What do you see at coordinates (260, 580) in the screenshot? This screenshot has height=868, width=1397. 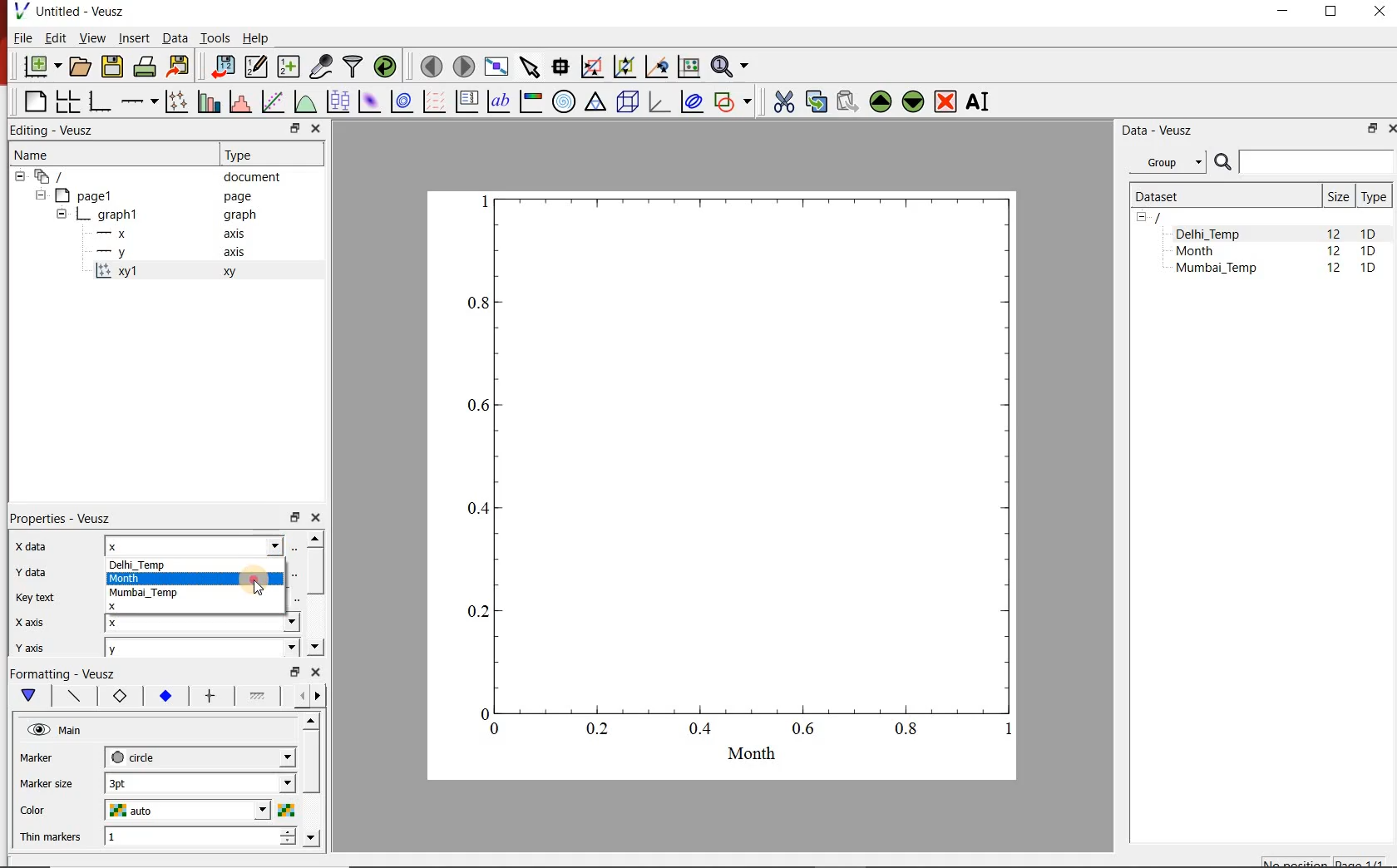 I see `cursor` at bounding box center [260, 580].